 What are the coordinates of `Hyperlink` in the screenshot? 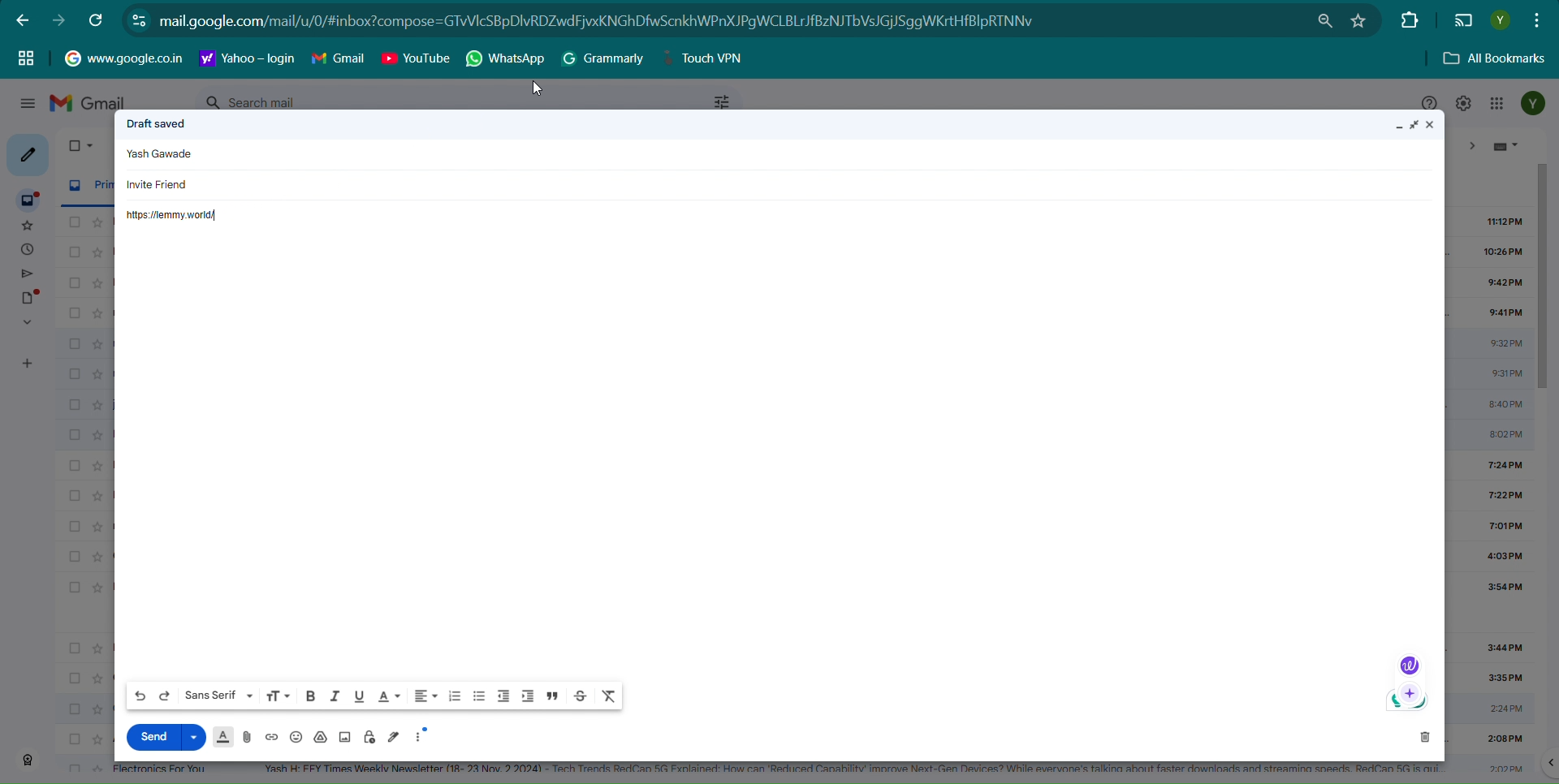 It's located at (171, 216).